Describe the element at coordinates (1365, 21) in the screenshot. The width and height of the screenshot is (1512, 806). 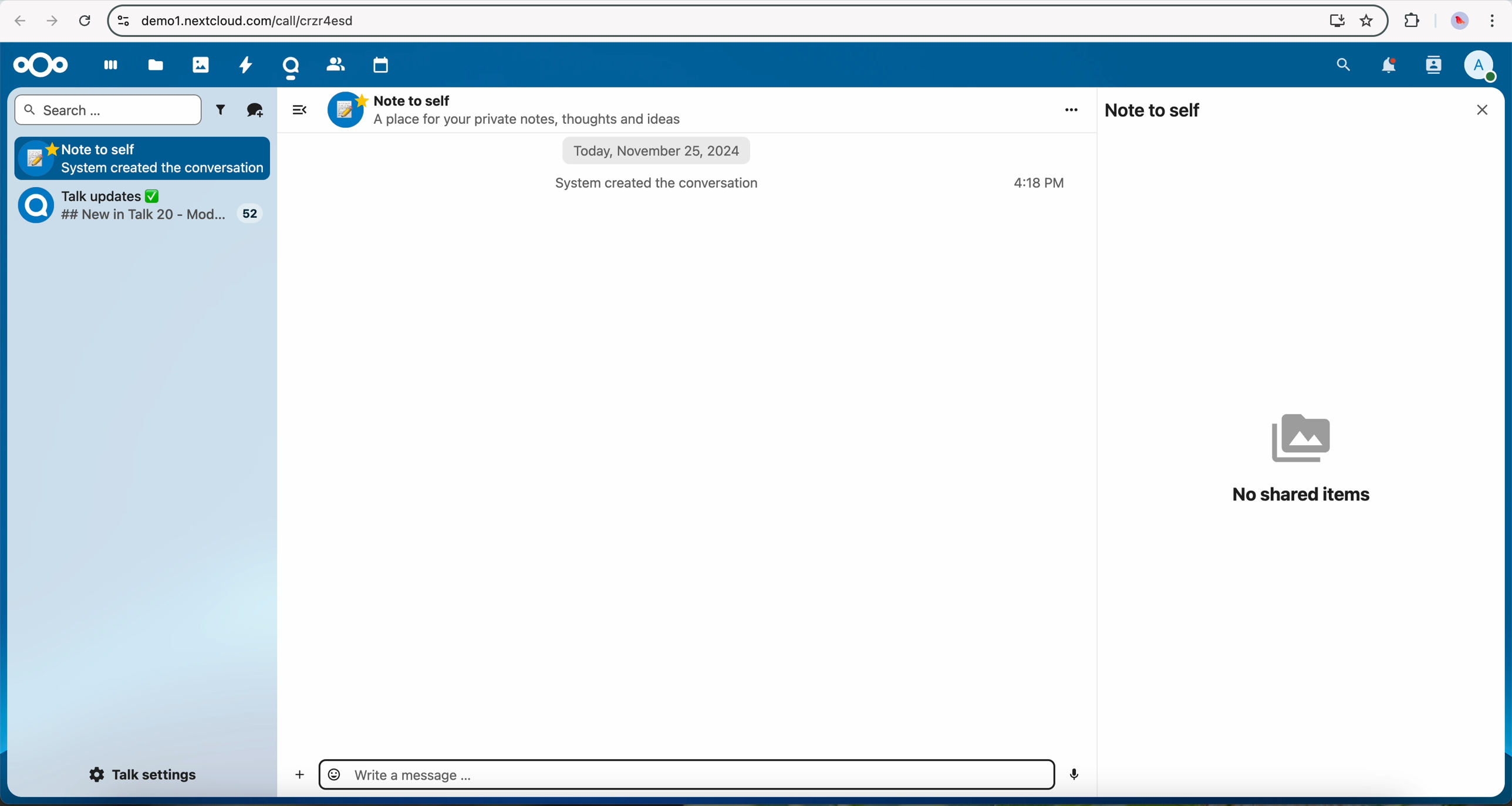
I see `favorites` at that location.